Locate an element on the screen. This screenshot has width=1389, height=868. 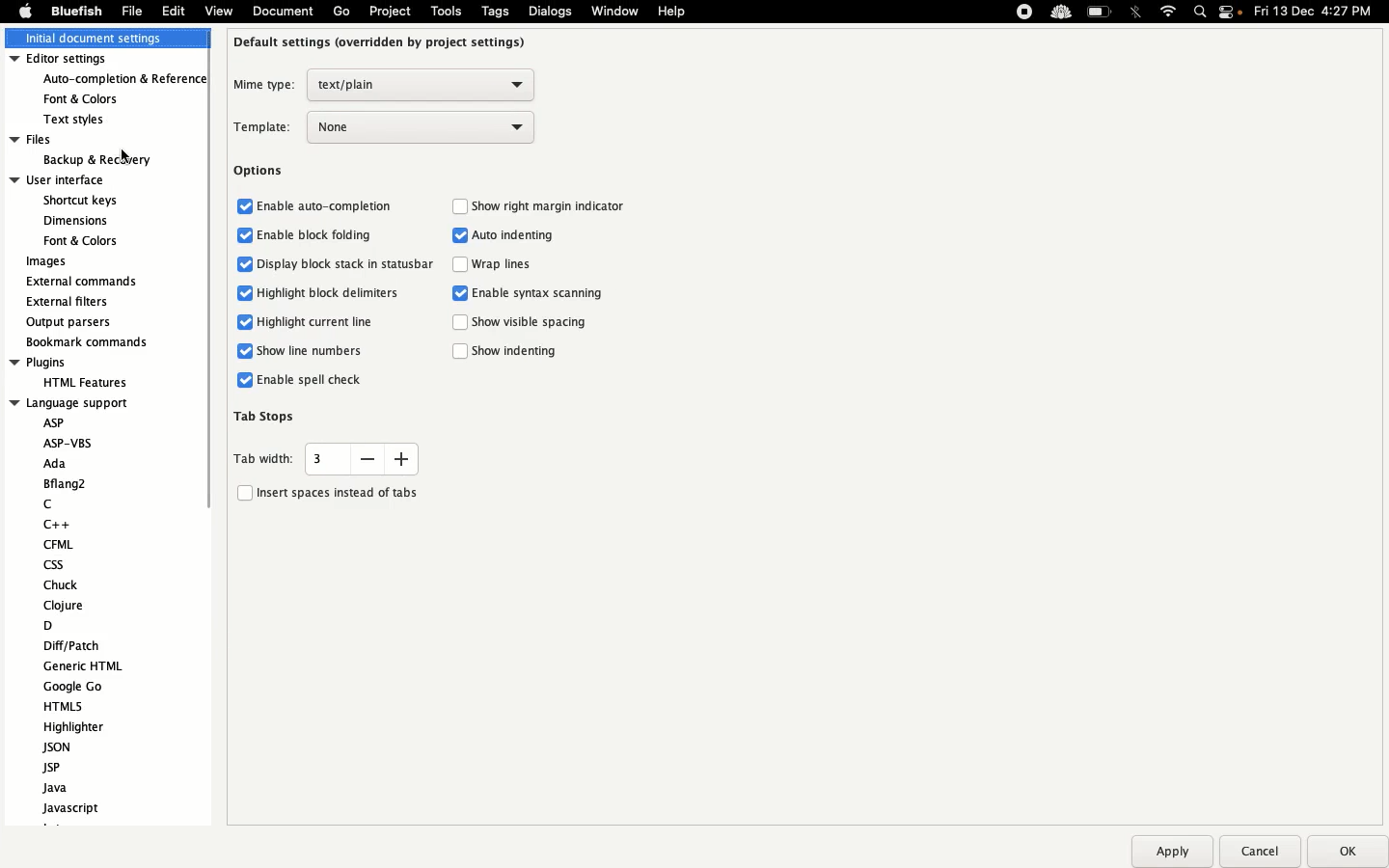
Apply is located at coordinates (1181, 849).